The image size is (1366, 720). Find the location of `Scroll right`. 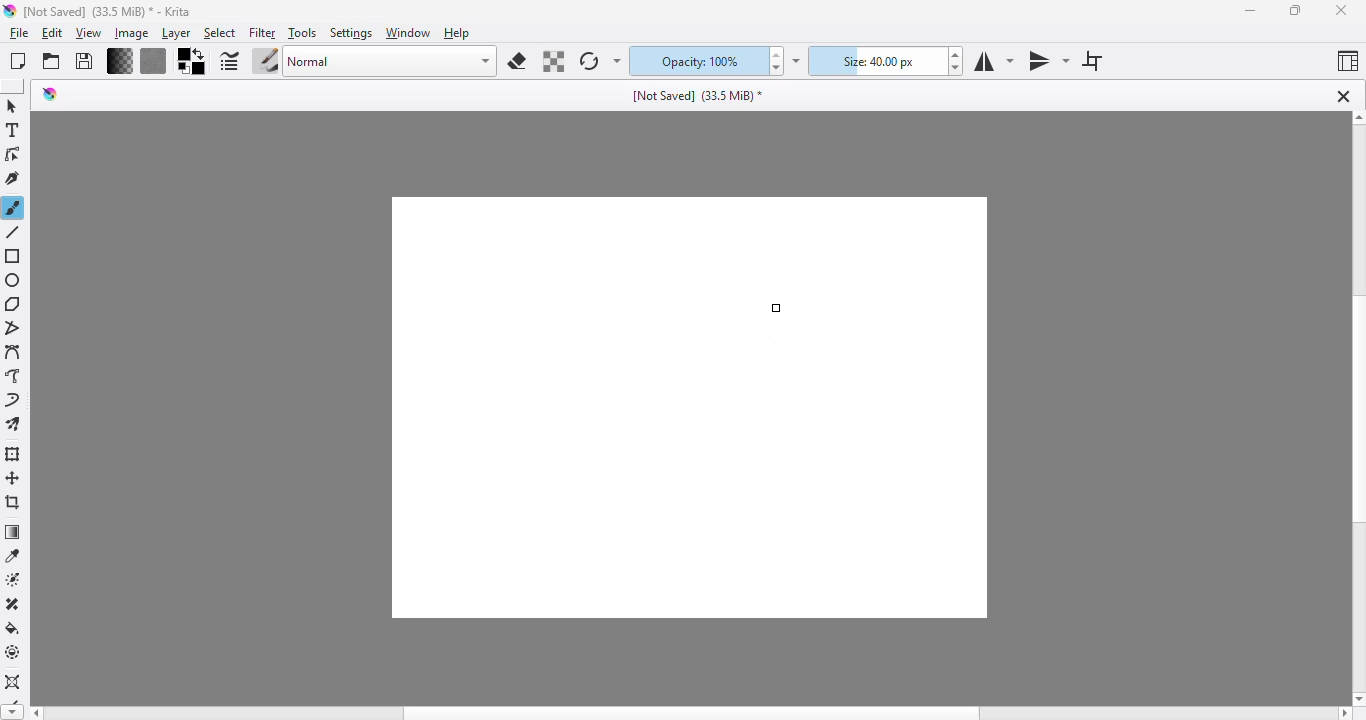

Scroll right is located at coordinates (1346, 713).